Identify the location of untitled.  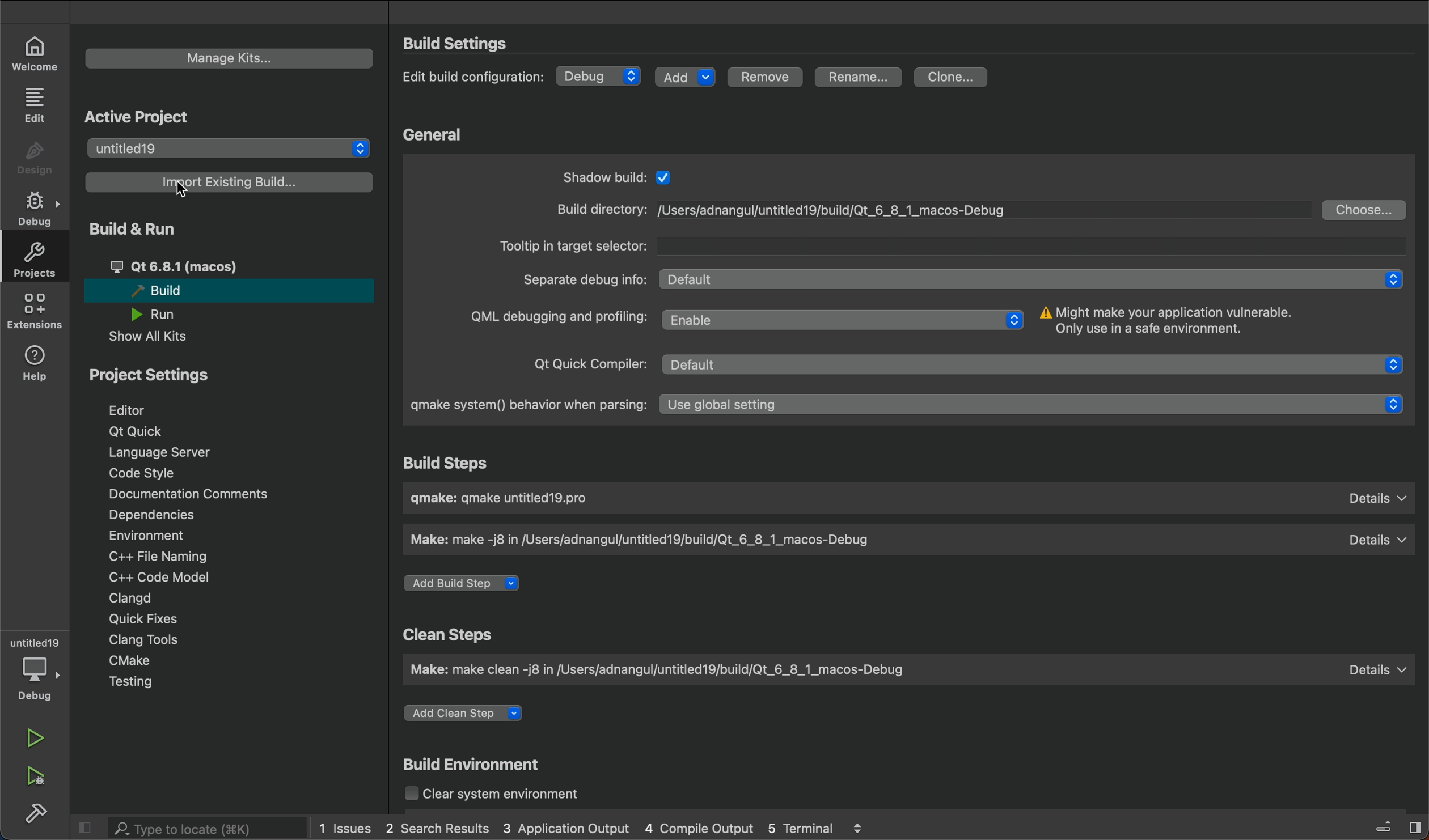
(35, 642).